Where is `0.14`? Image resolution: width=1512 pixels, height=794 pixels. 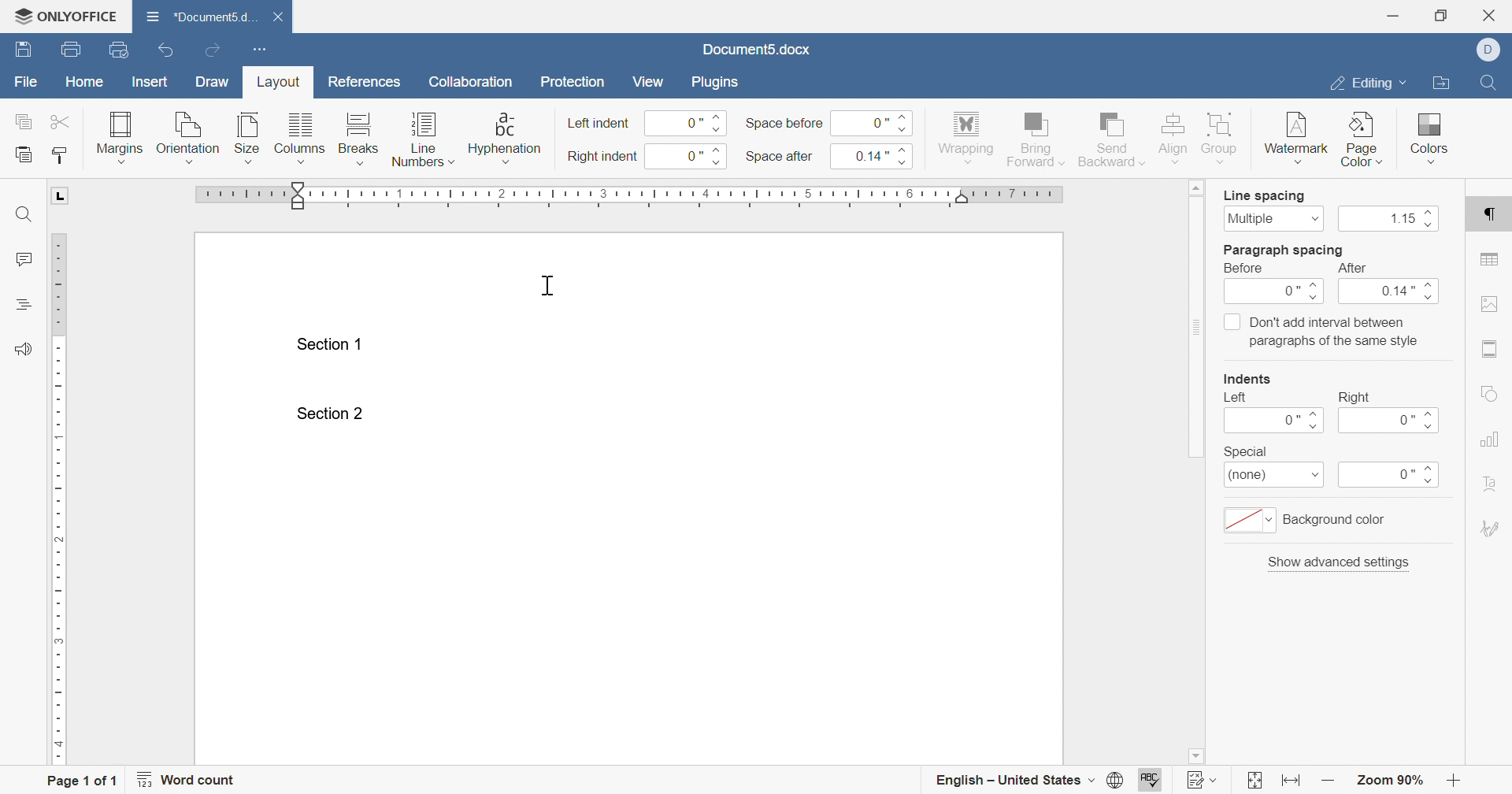 0.14 is located at coordinates (1392, 293).